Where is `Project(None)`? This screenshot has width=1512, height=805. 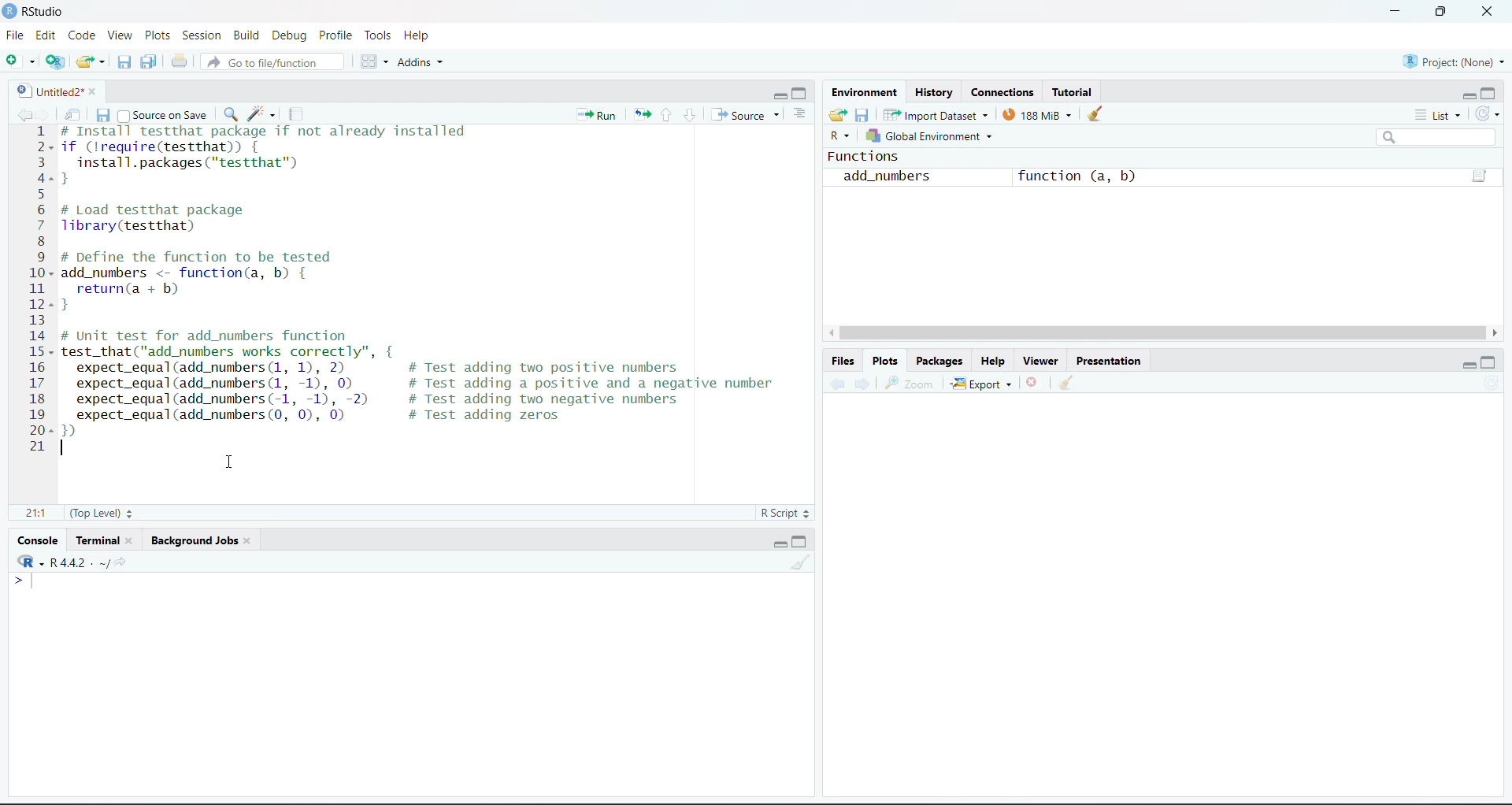 Project(None) is located at coordinates (1454, 63).